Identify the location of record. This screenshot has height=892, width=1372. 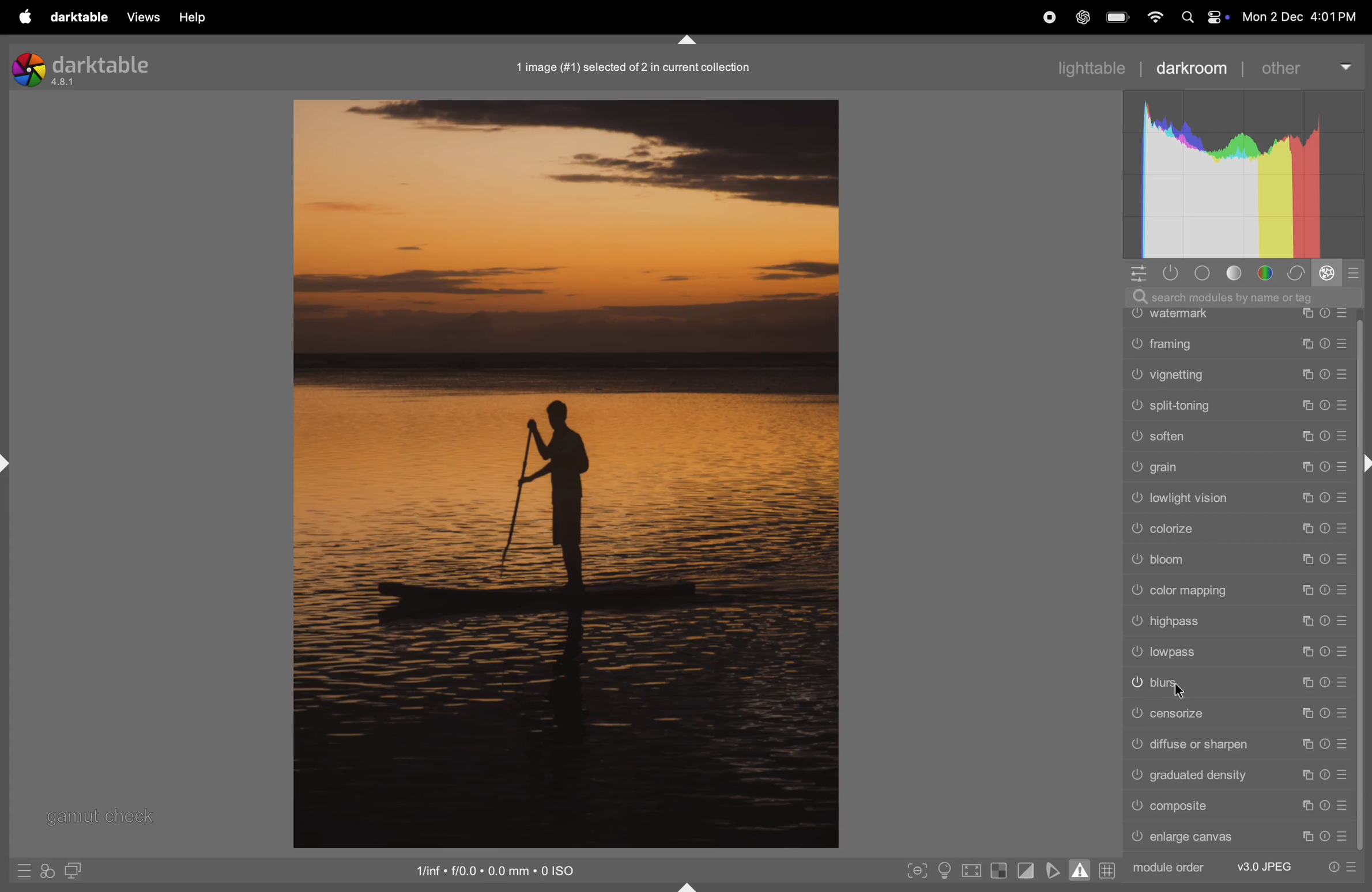
(1047, 17).